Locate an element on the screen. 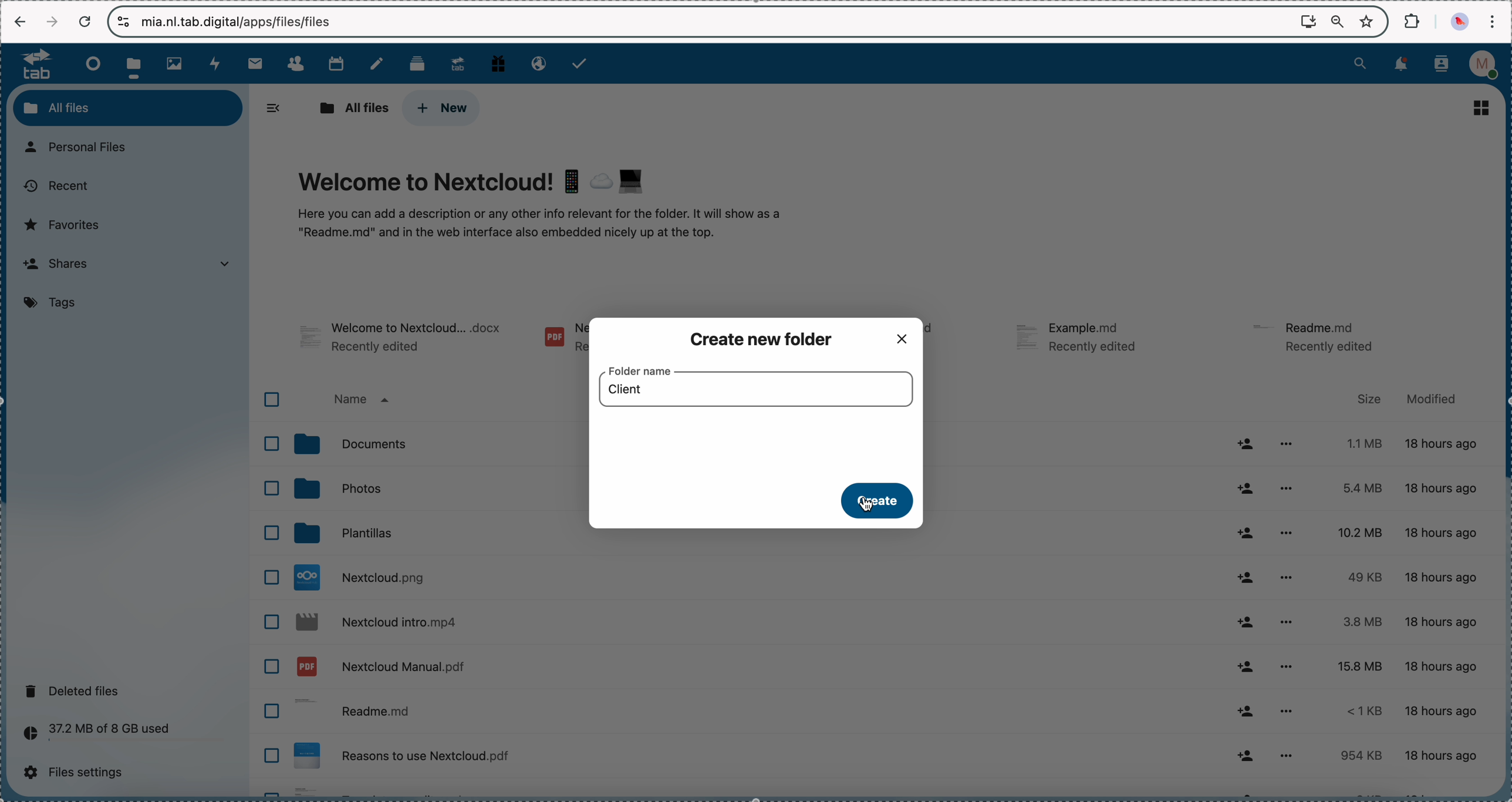 The width and height of the screenshot is (1512, 802). tab is located at coordinates (31, 63).